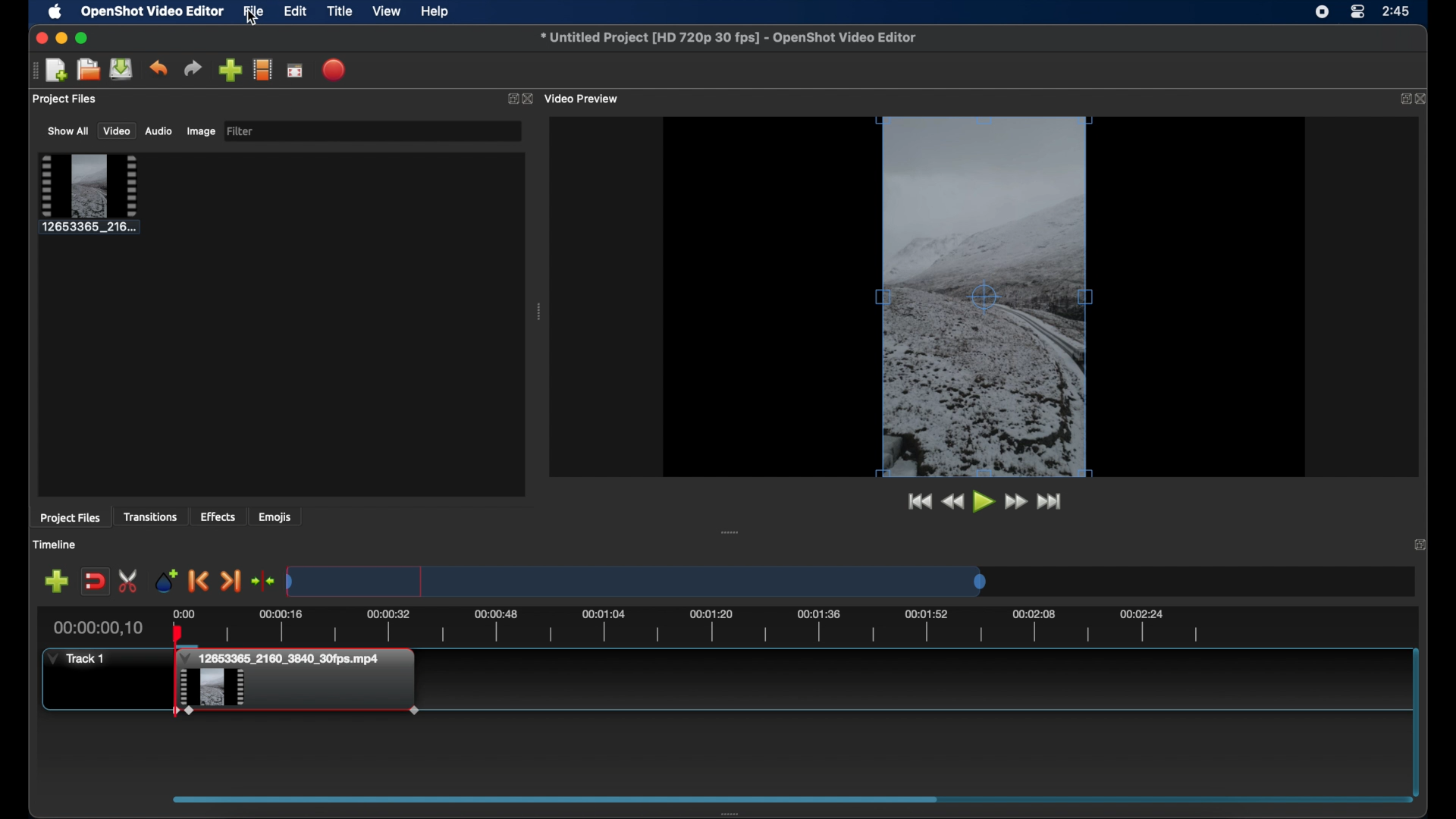  Describe the element at coordinates (83, 38) in the screenshot. I see `maximize` at that location.